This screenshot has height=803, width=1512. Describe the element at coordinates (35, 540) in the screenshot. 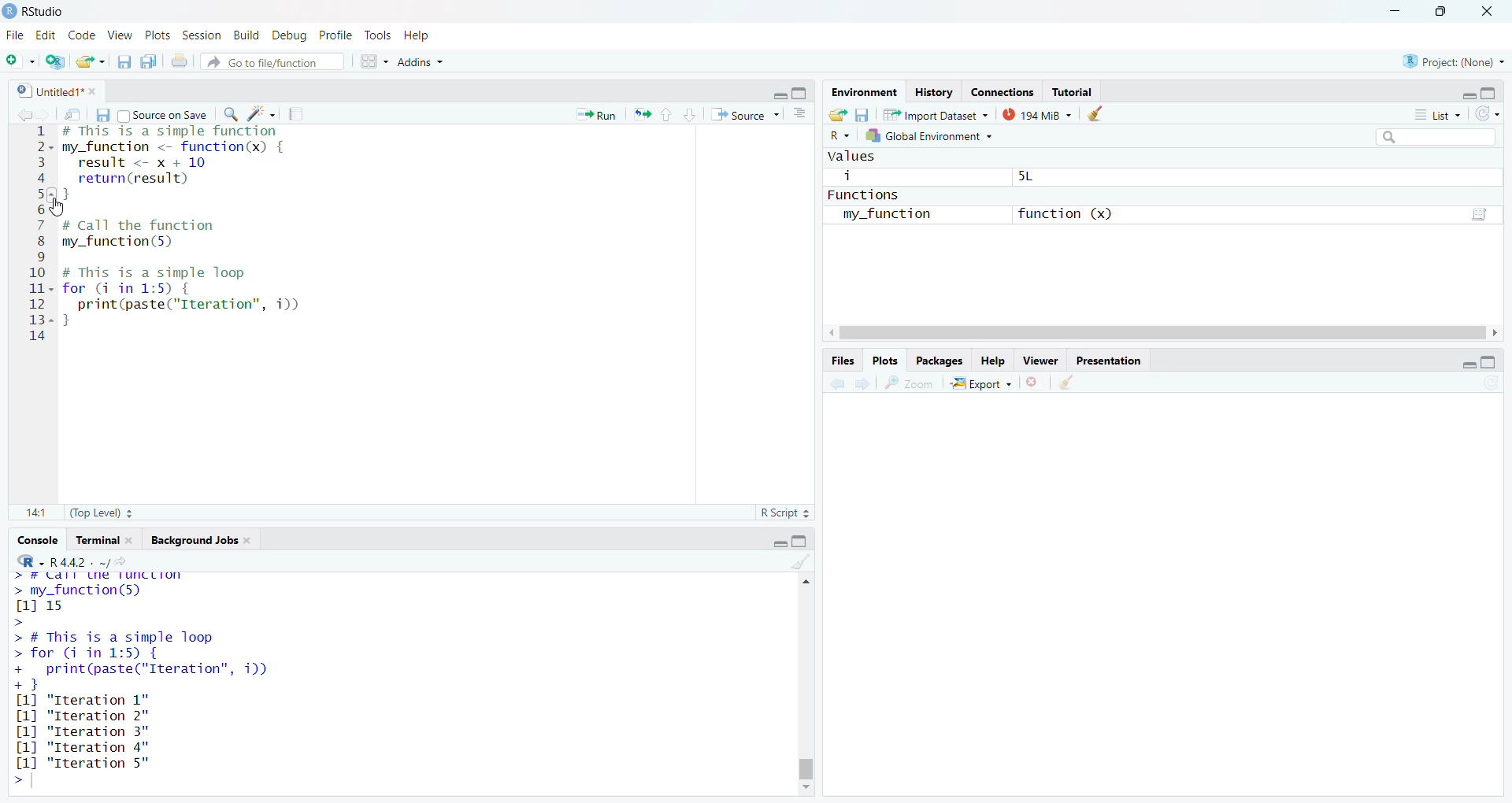

I see `console` at that location.